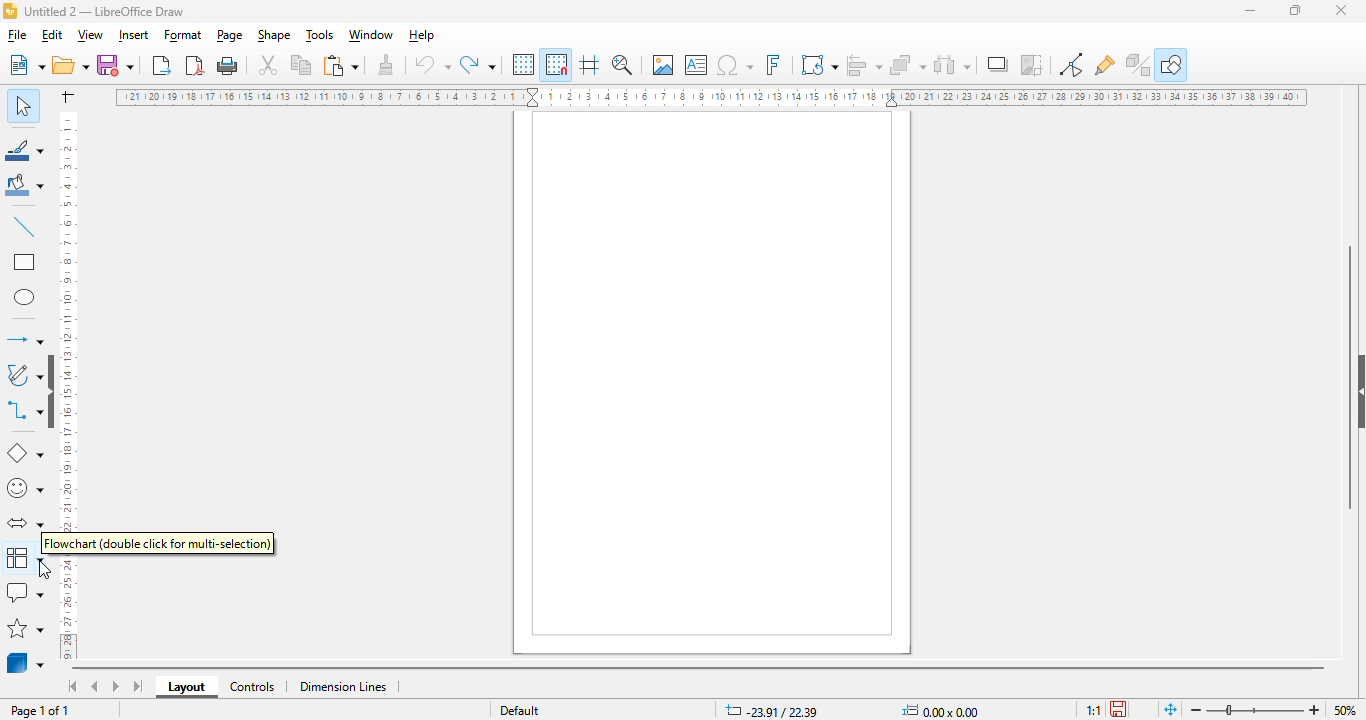  What do you see at coordinates (25, 339) in the screenshot?
I see `lines and arrows` at bounding box center [25, 339].